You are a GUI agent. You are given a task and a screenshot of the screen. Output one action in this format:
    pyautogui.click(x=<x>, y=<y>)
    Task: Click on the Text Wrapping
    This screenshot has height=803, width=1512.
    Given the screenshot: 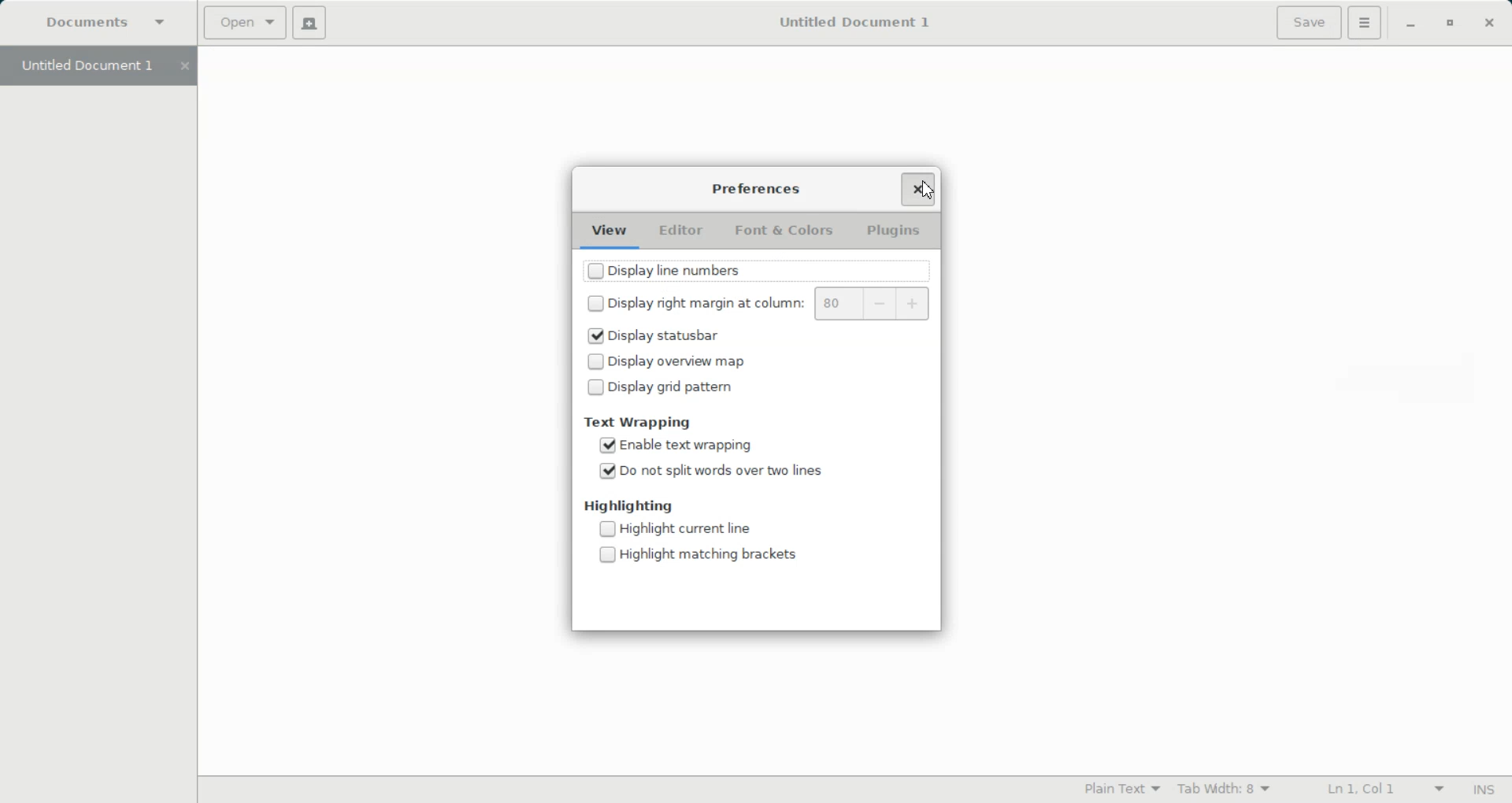 What is the action you would take?
    pyautogui.click(x=642, y=422)
    